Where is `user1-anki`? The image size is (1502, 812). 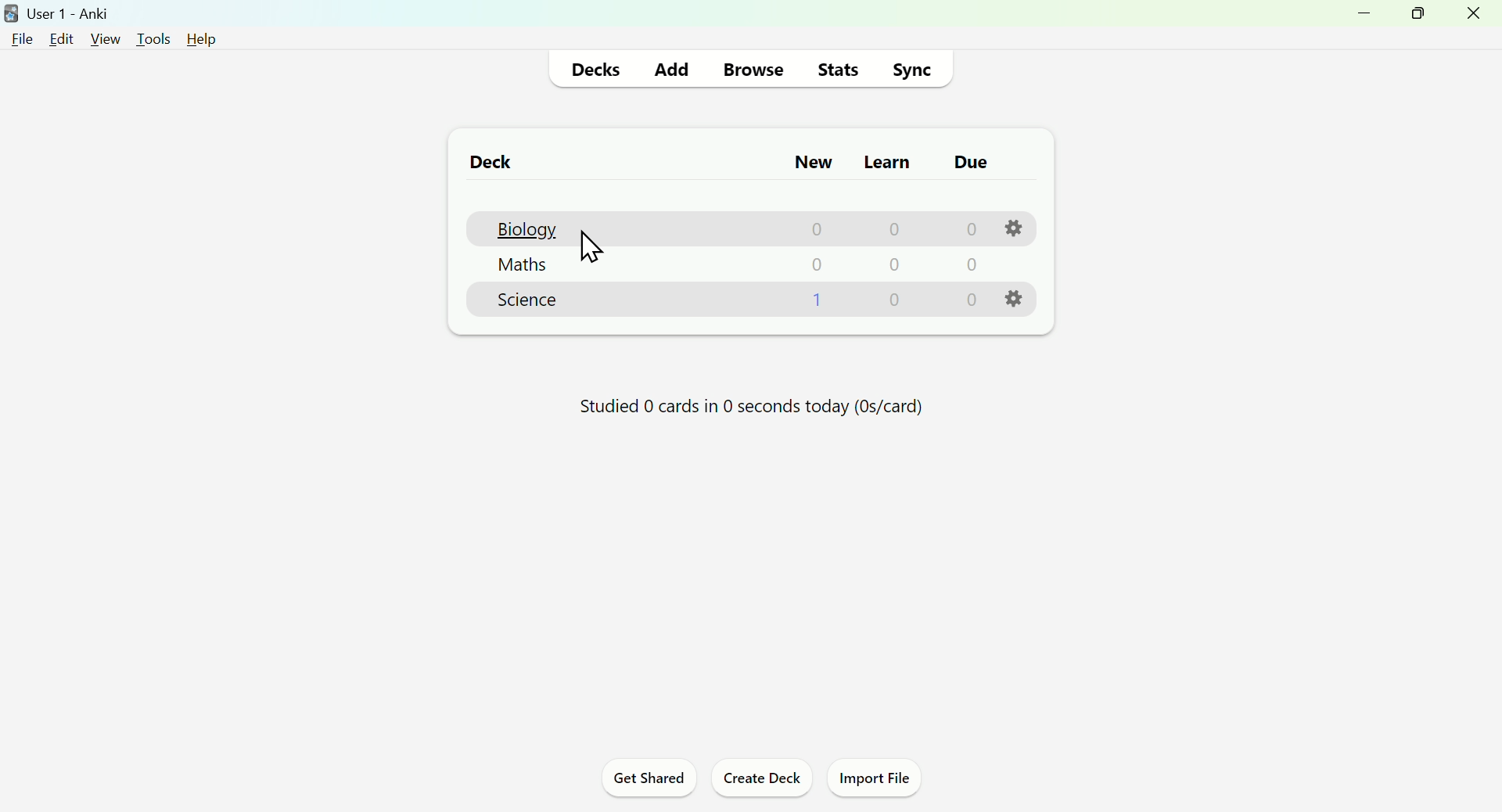
user1-anki is located at coordinates (58, 13).